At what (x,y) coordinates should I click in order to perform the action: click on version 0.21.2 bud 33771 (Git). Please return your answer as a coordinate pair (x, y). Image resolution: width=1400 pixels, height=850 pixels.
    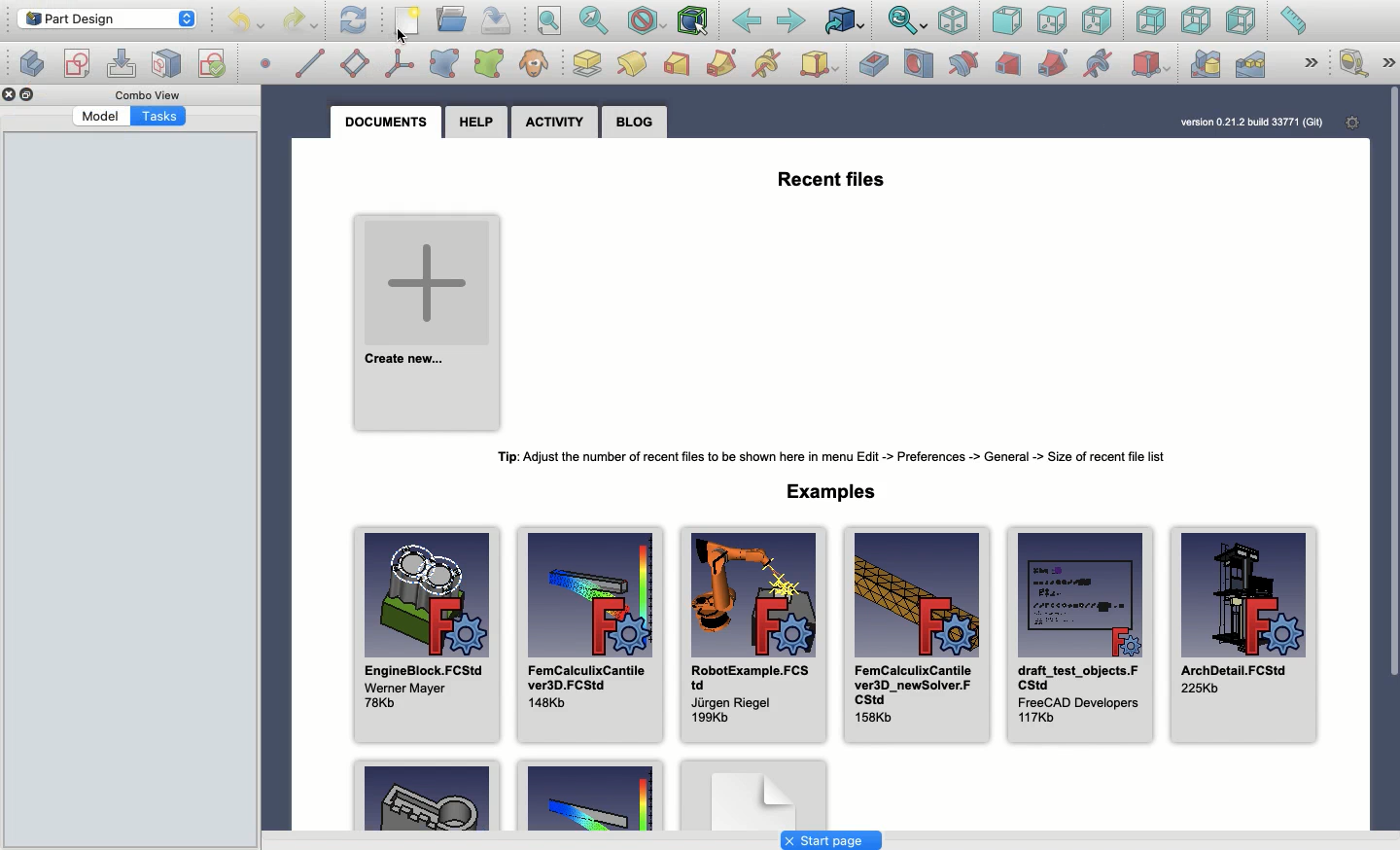
    Looking at the image, I should click on (1250, 124).